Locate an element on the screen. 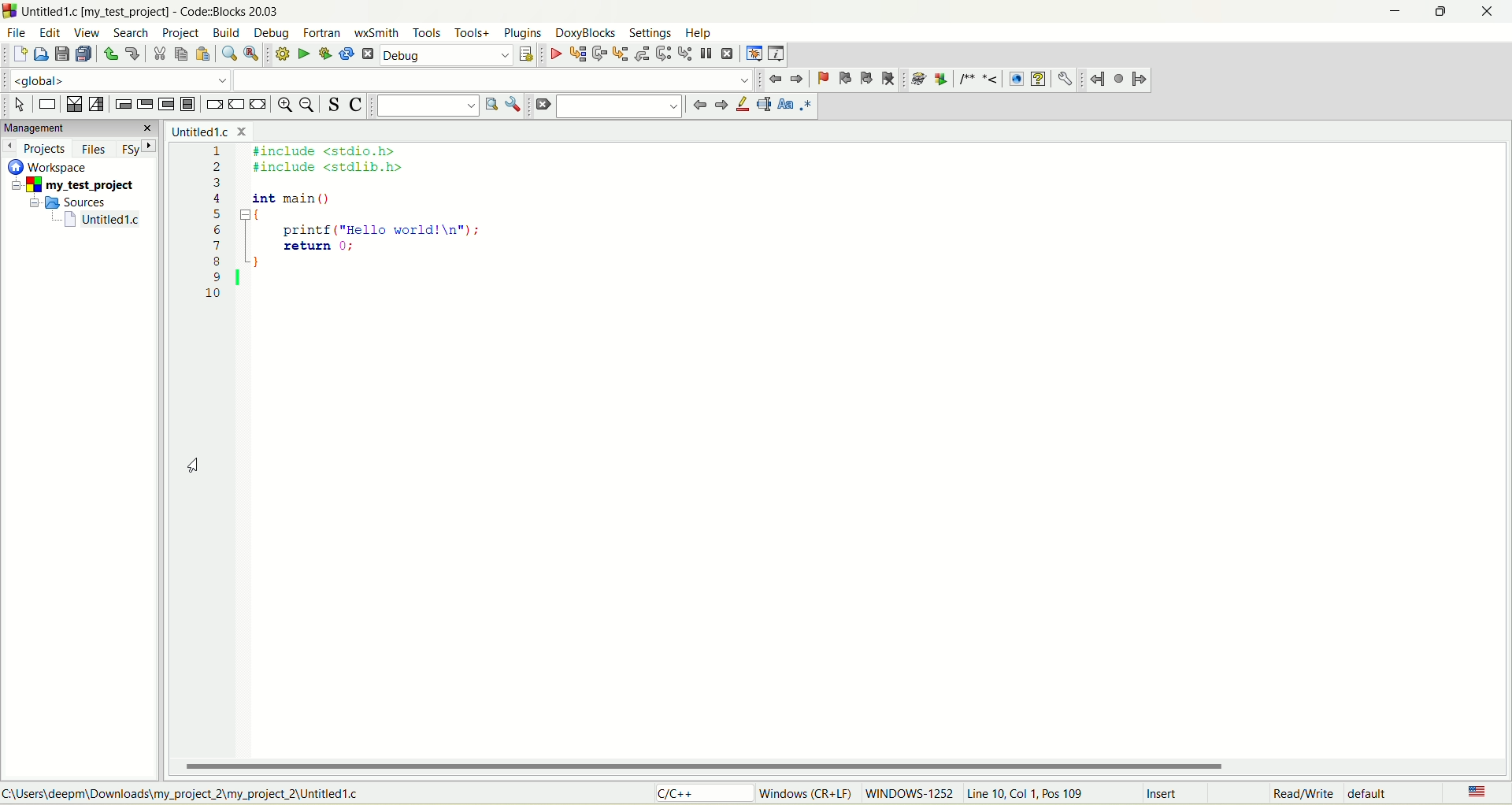 The width and height of the screenshot is (1512, 805). entry condition loop is located at coordinates (123, 103).